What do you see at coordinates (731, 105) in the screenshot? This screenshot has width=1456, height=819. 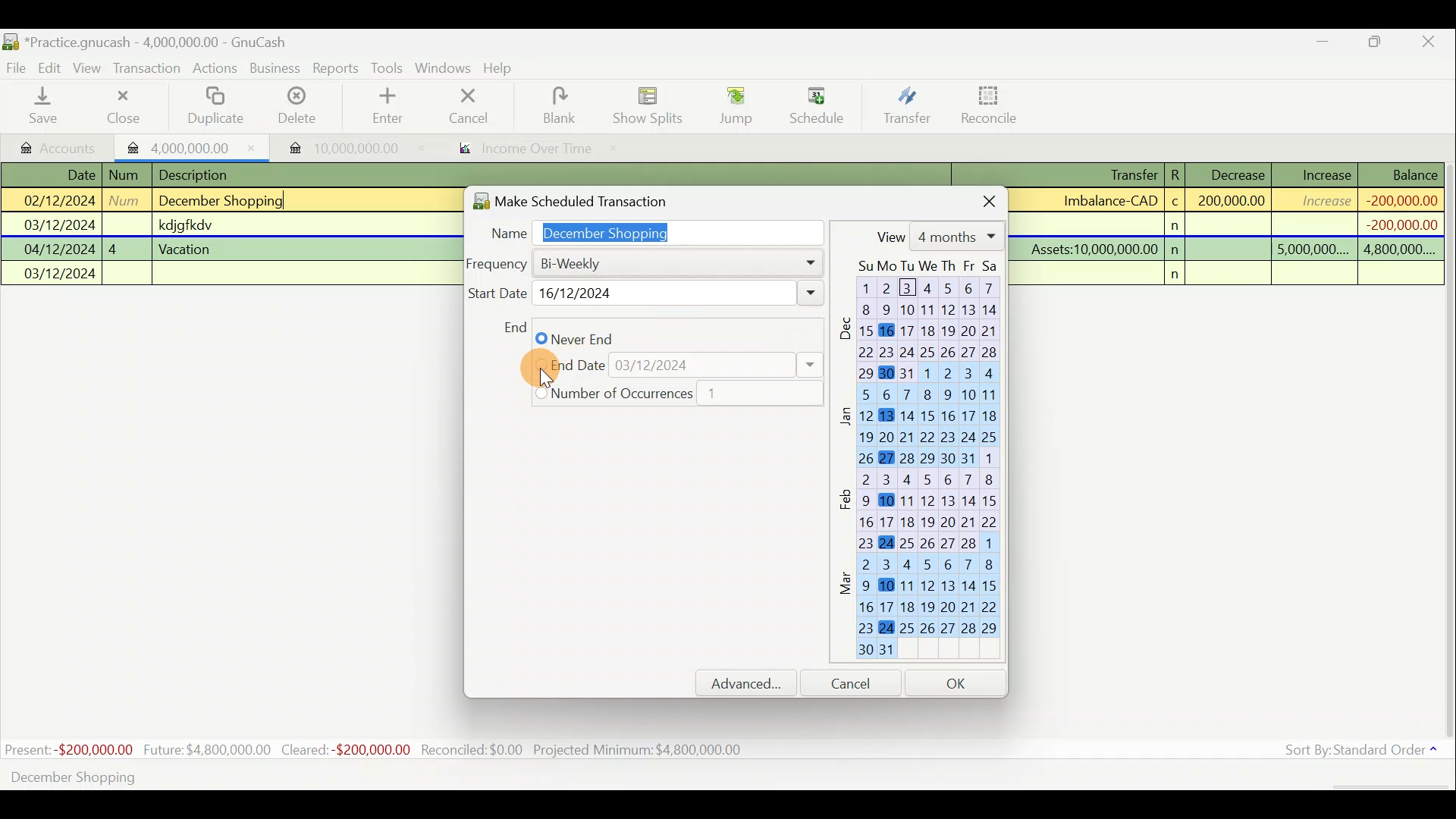 I see `Jump` at bounding box center [731, 105].